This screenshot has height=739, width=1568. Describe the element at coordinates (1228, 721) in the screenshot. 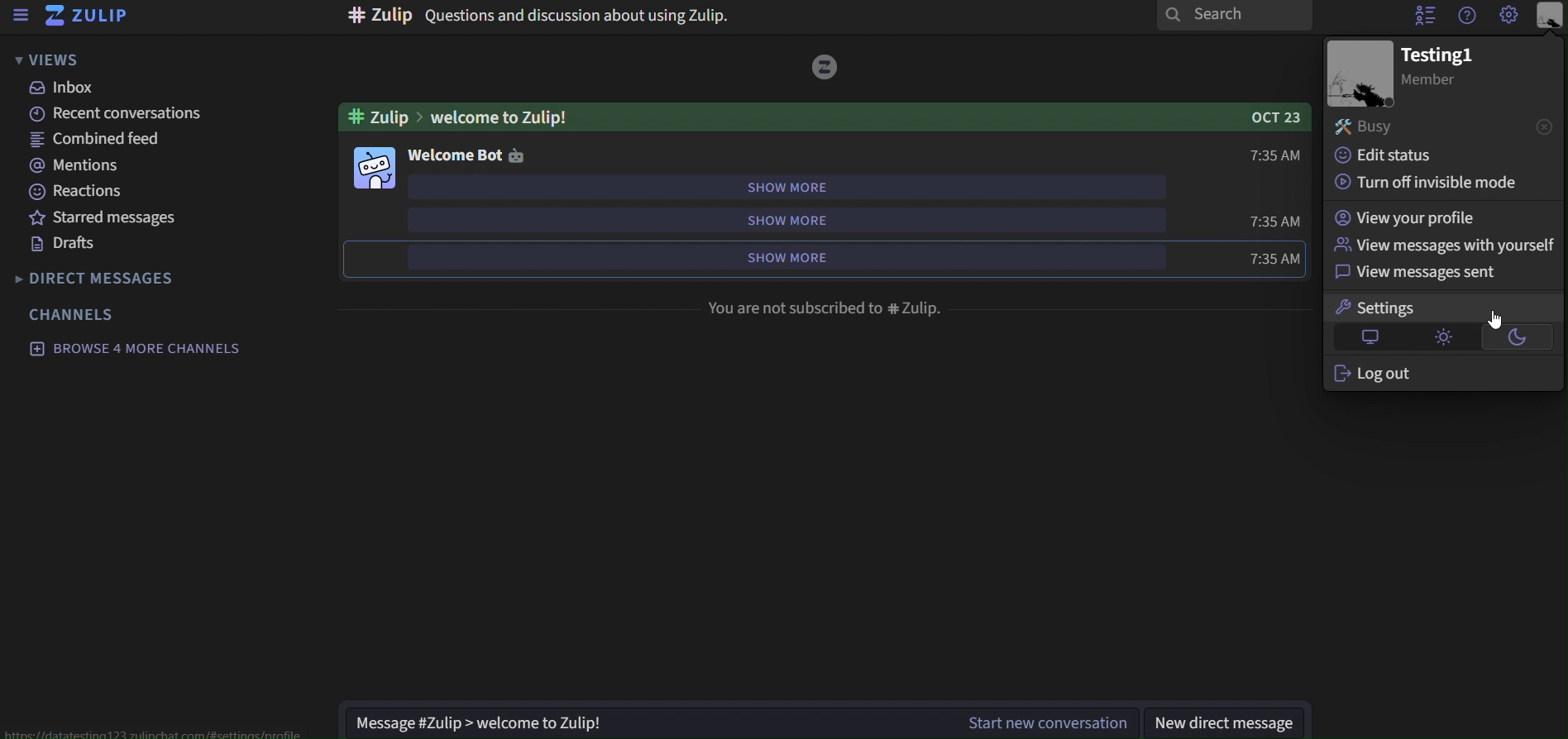

I see `new direct message` at that location.